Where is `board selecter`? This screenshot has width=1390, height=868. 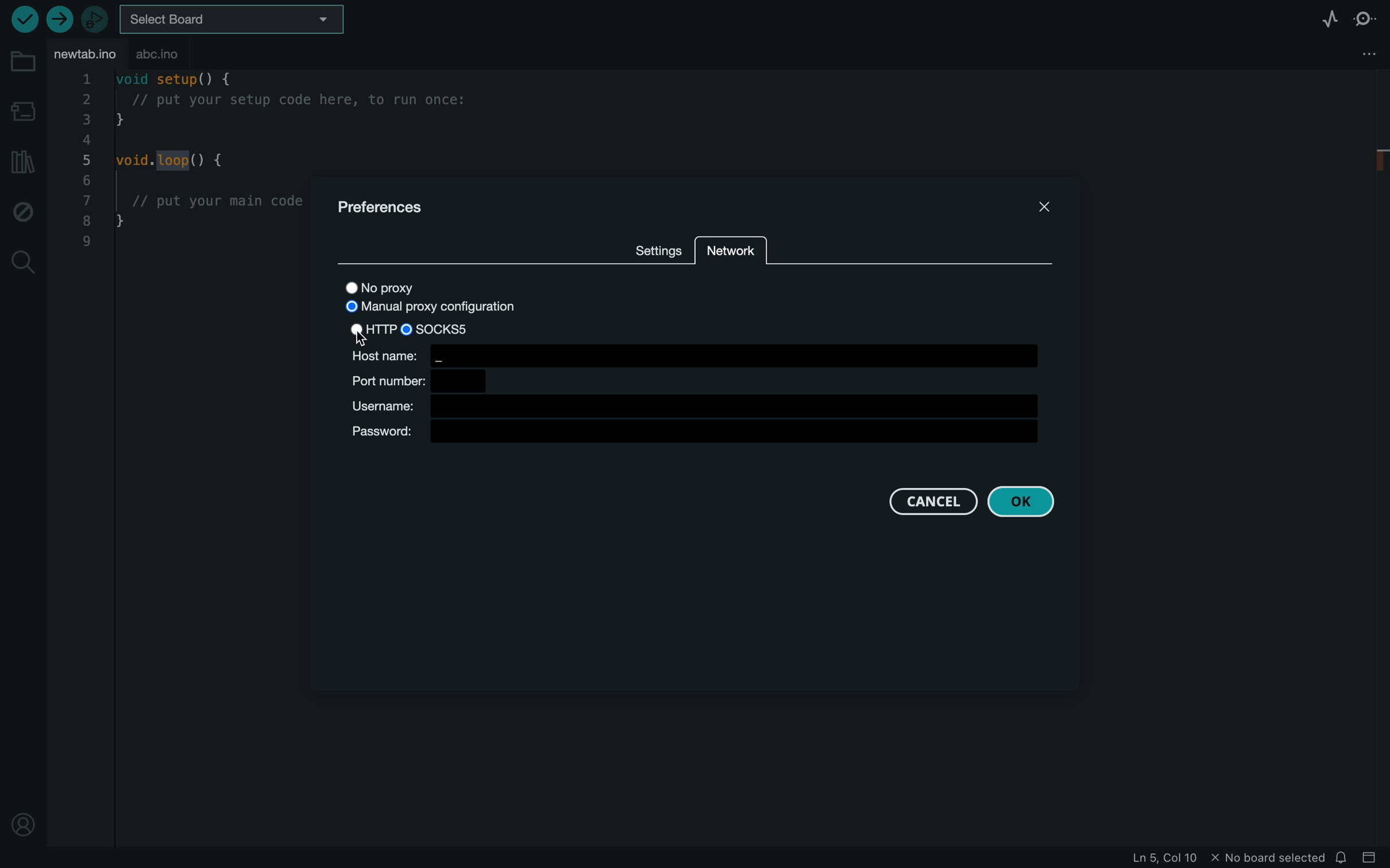 board selecter is located at coordinates (239, 21).